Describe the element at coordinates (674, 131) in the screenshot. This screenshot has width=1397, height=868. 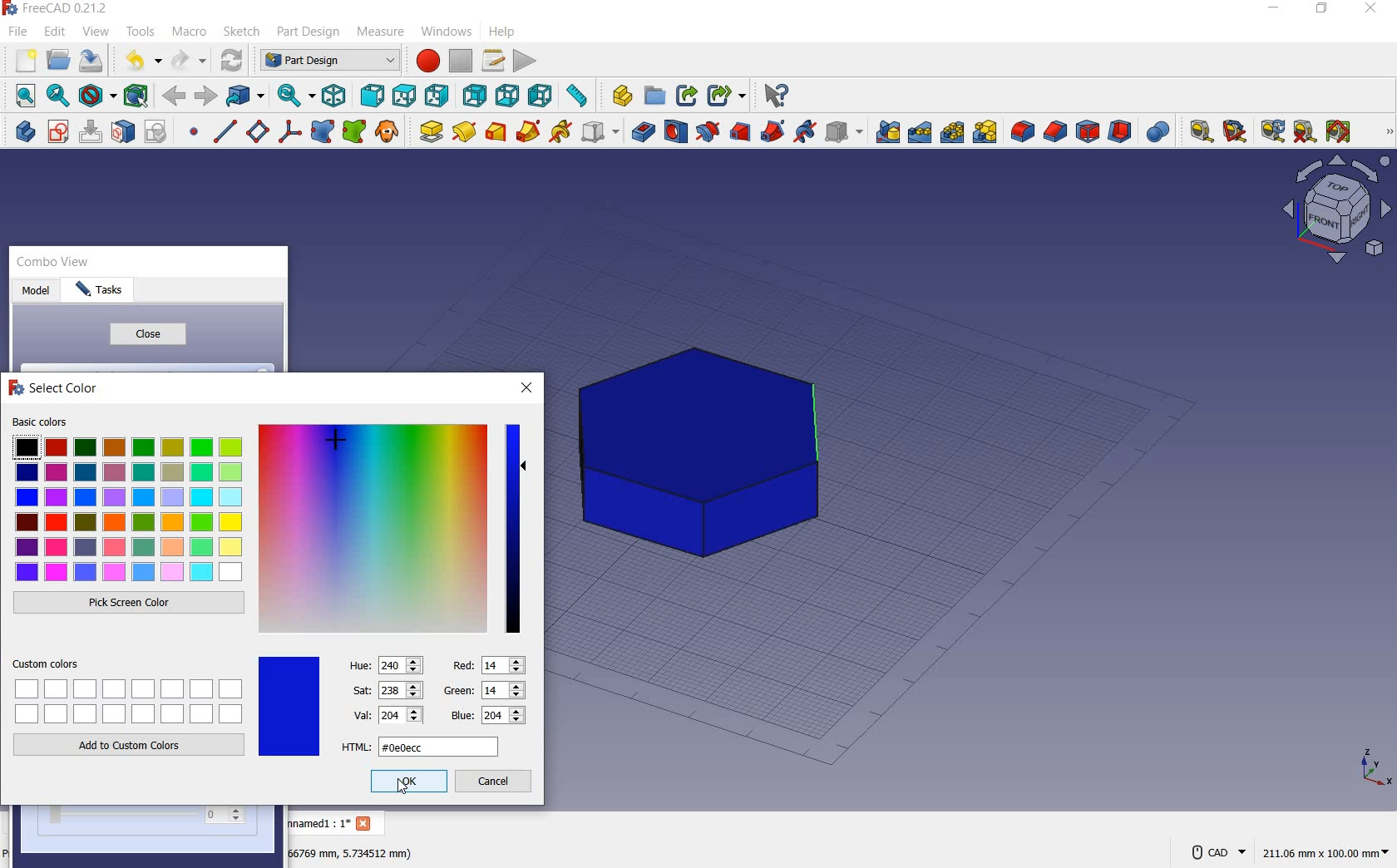
I see `hole` at that location.